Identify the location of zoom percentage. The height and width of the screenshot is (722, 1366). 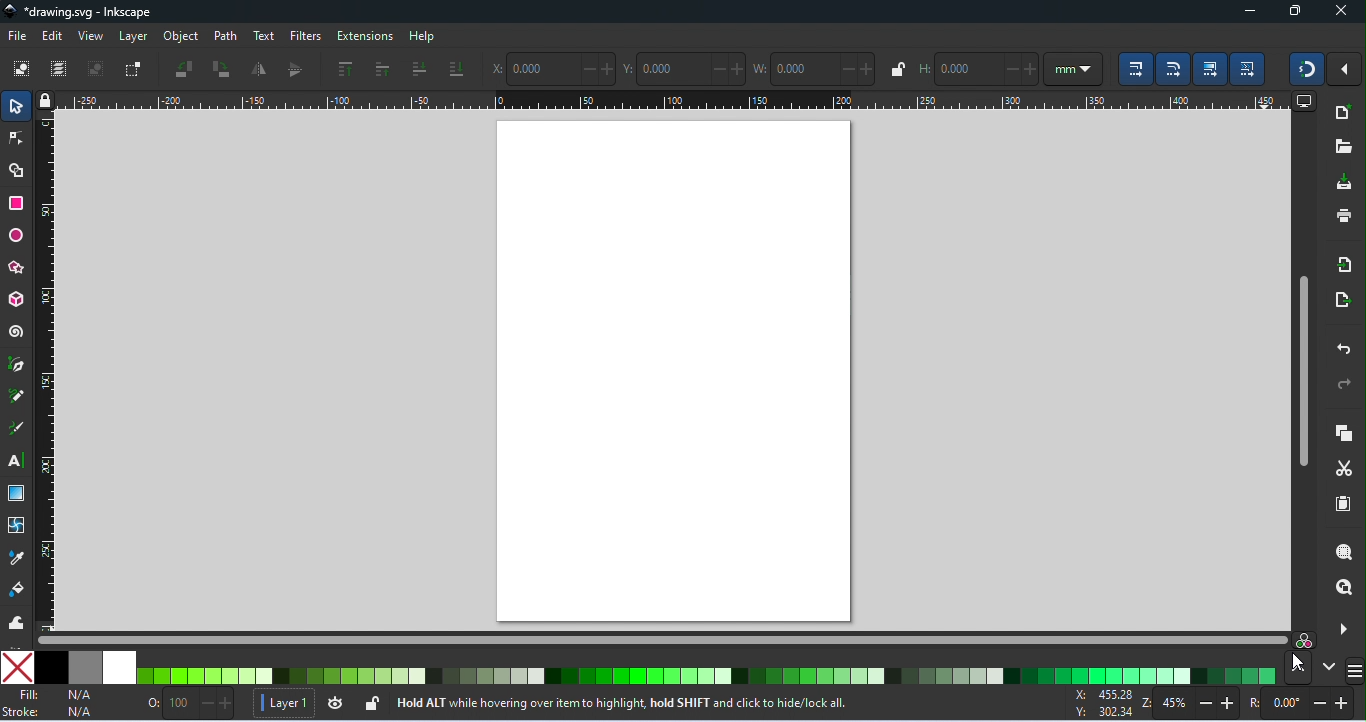
(1191, 703).